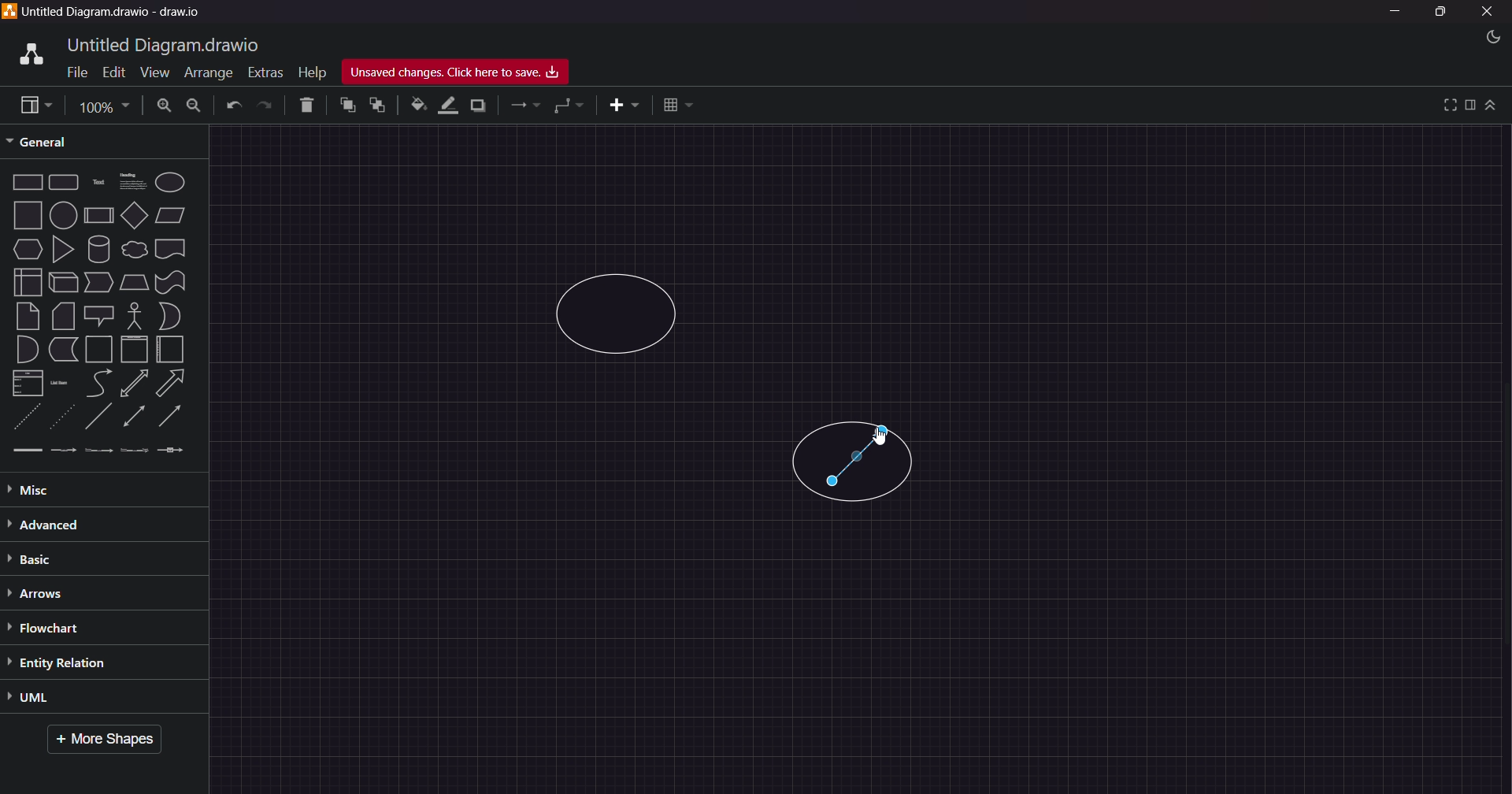 The height and width of the screenshot is (794, 1512). What do you see at coordinates (346, 106) in the screenshot?
I see `to front` at bounding box center [346, 106].